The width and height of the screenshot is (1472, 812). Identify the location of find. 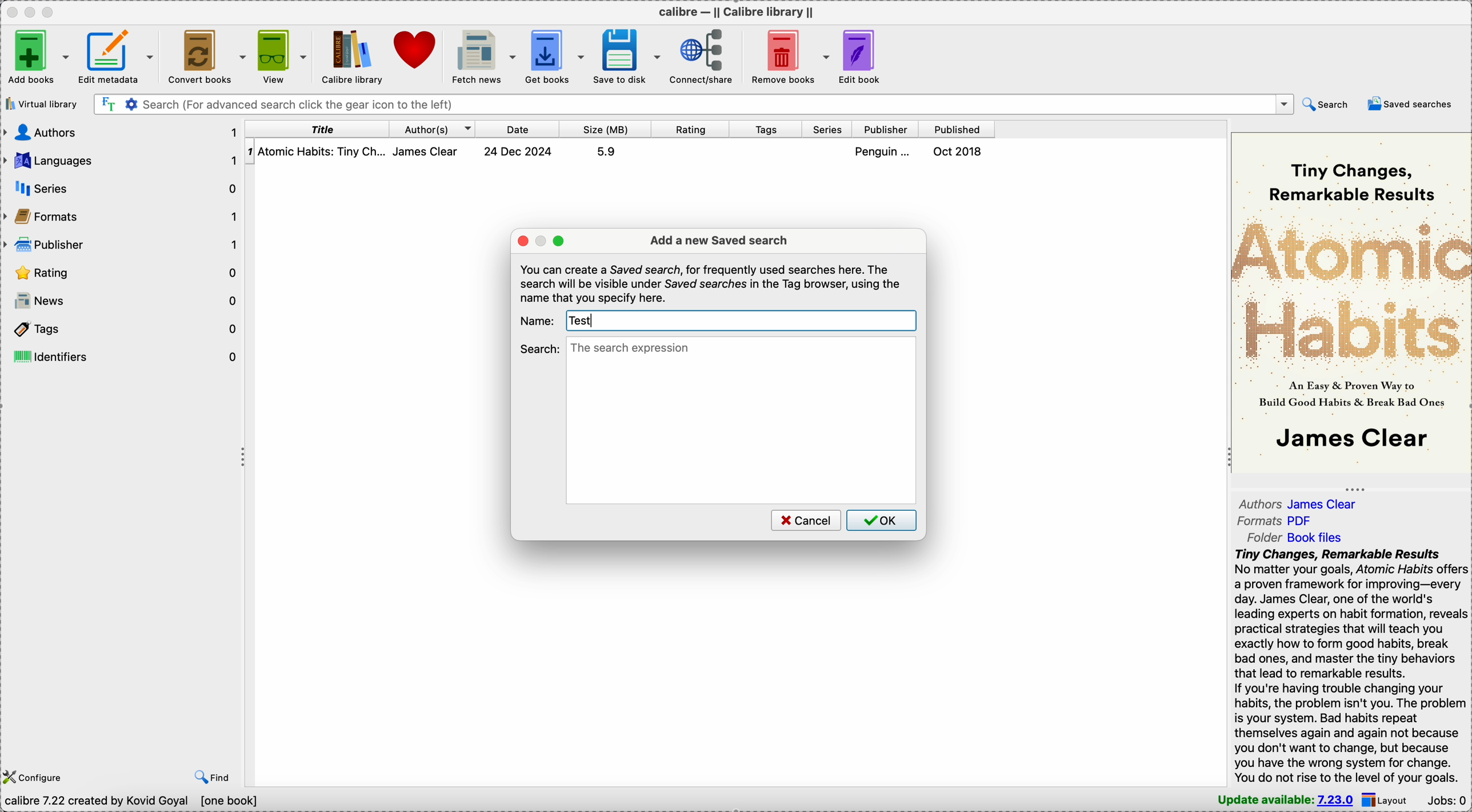
(214, 775).